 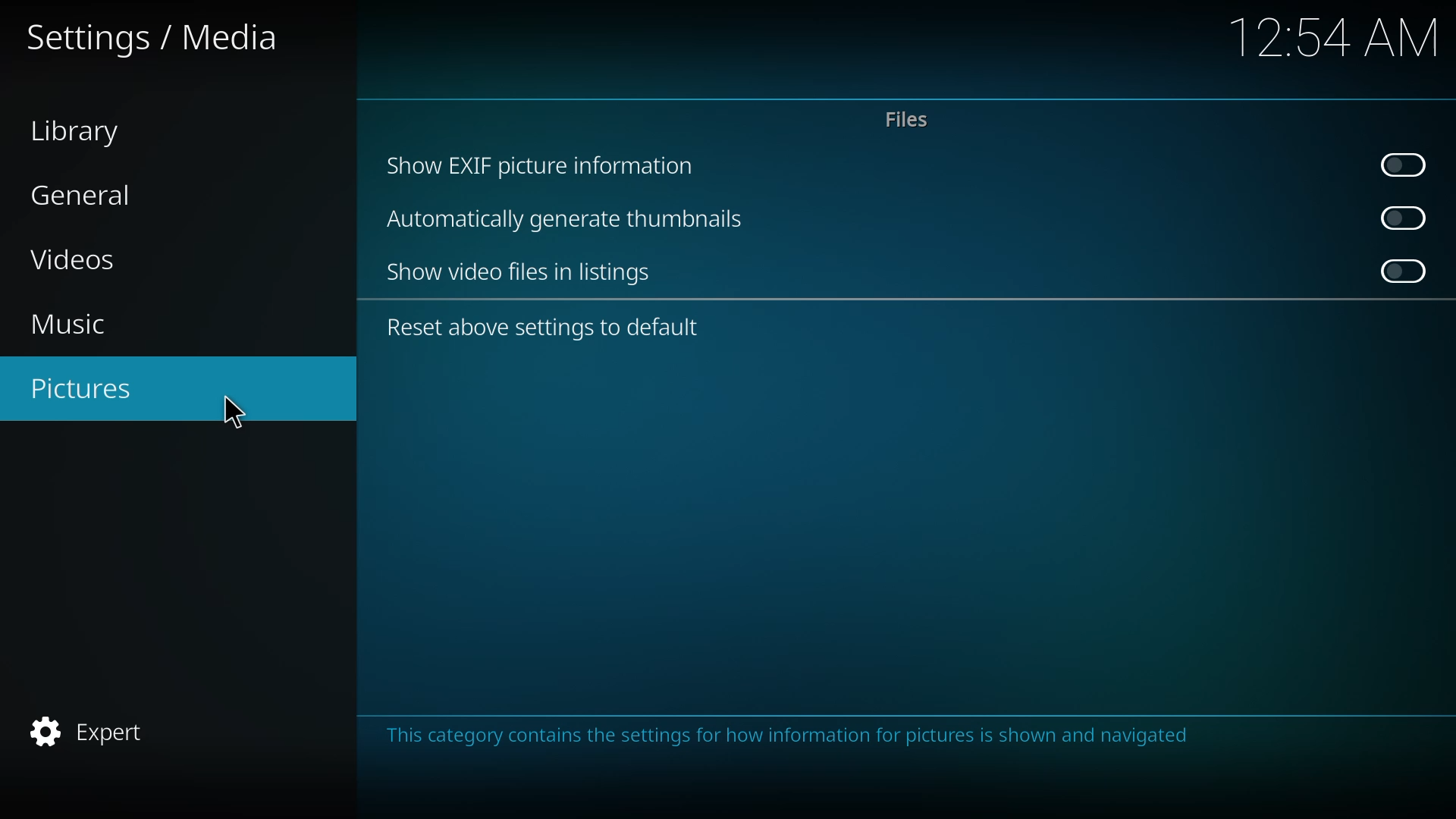 What do you see at coordinates (99, 729) in the screenshot?
I see `expert` at bounding box center [99, 729].